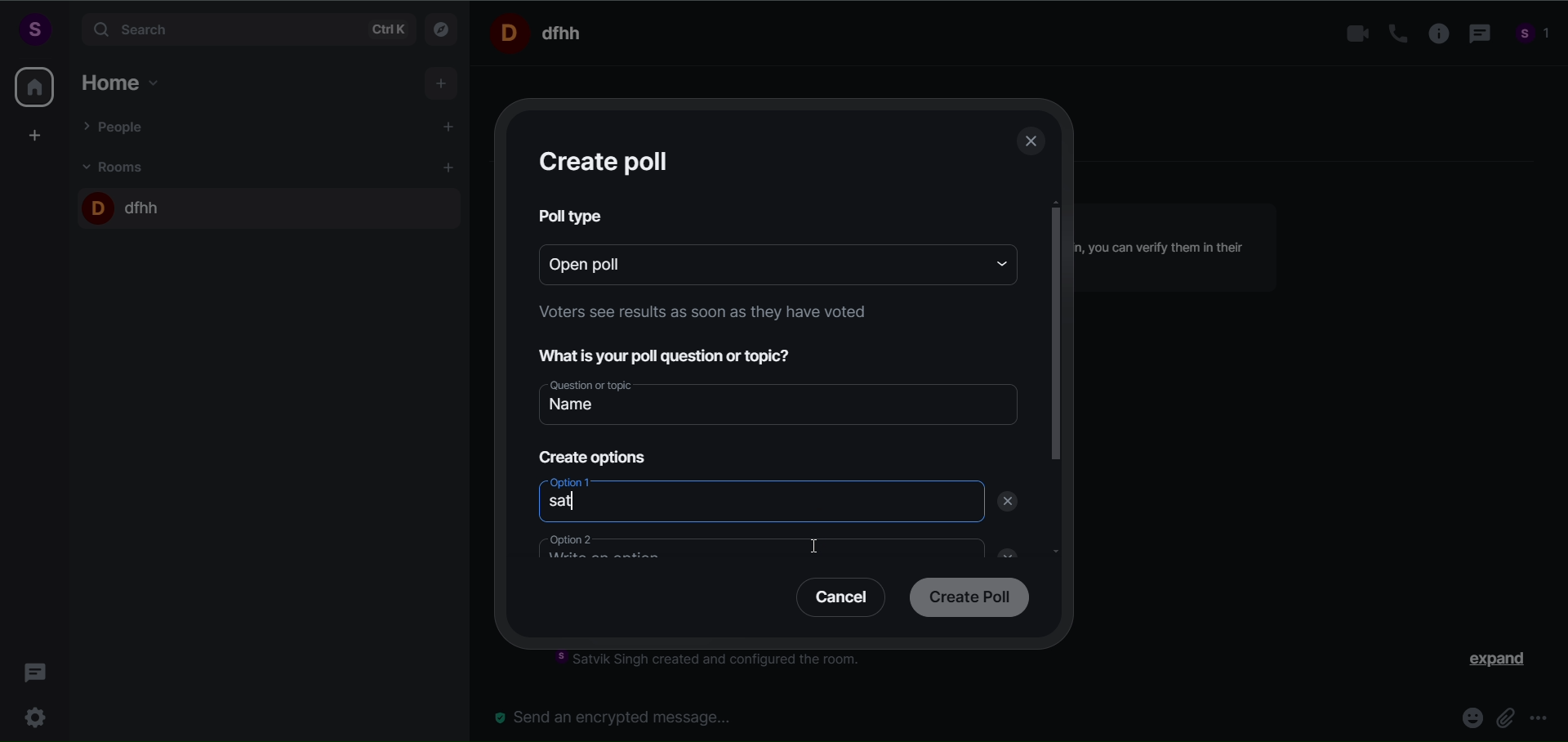 This screenshot has width=1568, height=742. I want to click on close dialog, so click(1032, 144).